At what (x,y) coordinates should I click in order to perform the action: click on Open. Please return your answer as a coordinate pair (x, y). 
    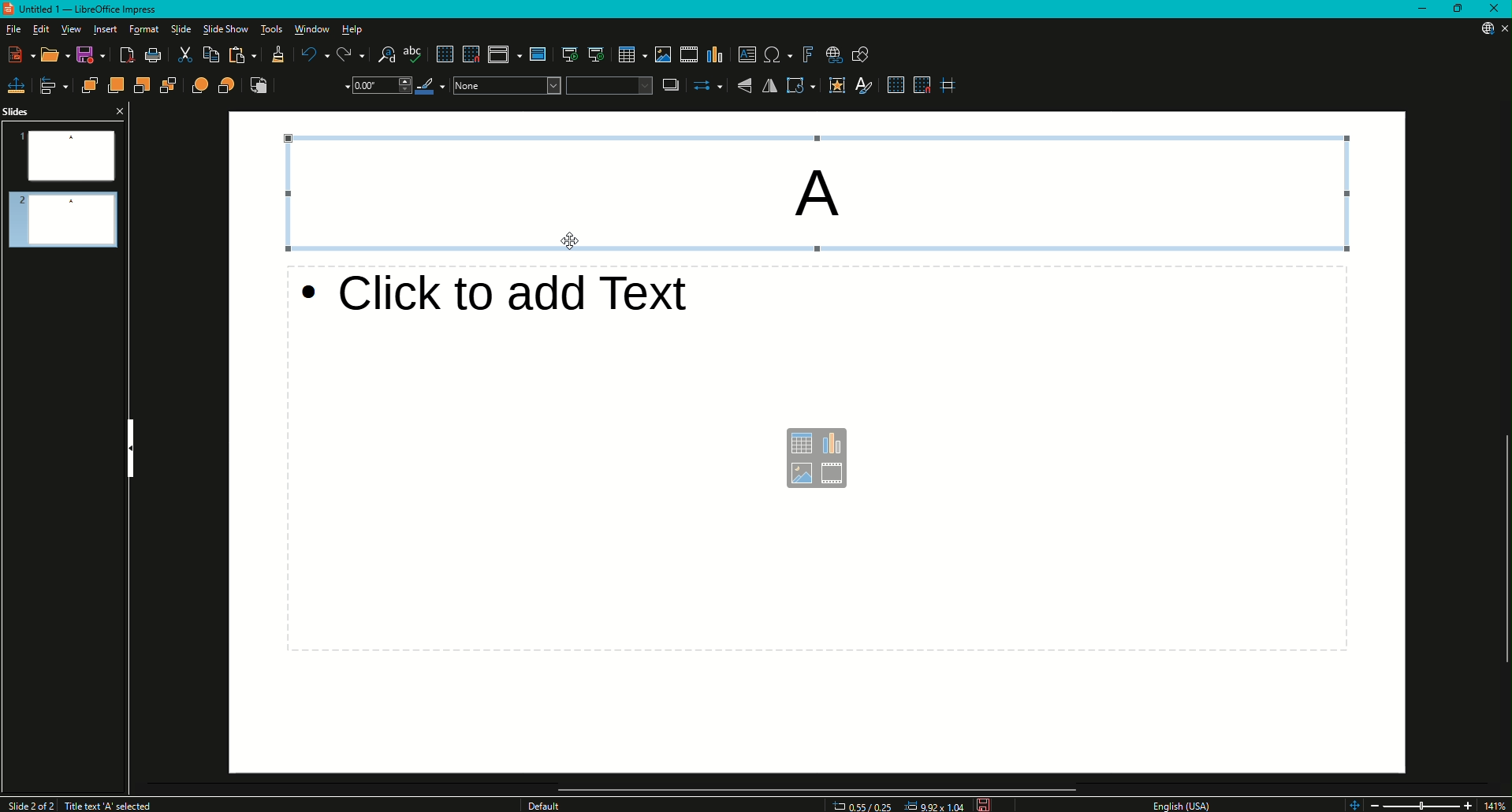
    Looking at the image, I should click on (50, 54).